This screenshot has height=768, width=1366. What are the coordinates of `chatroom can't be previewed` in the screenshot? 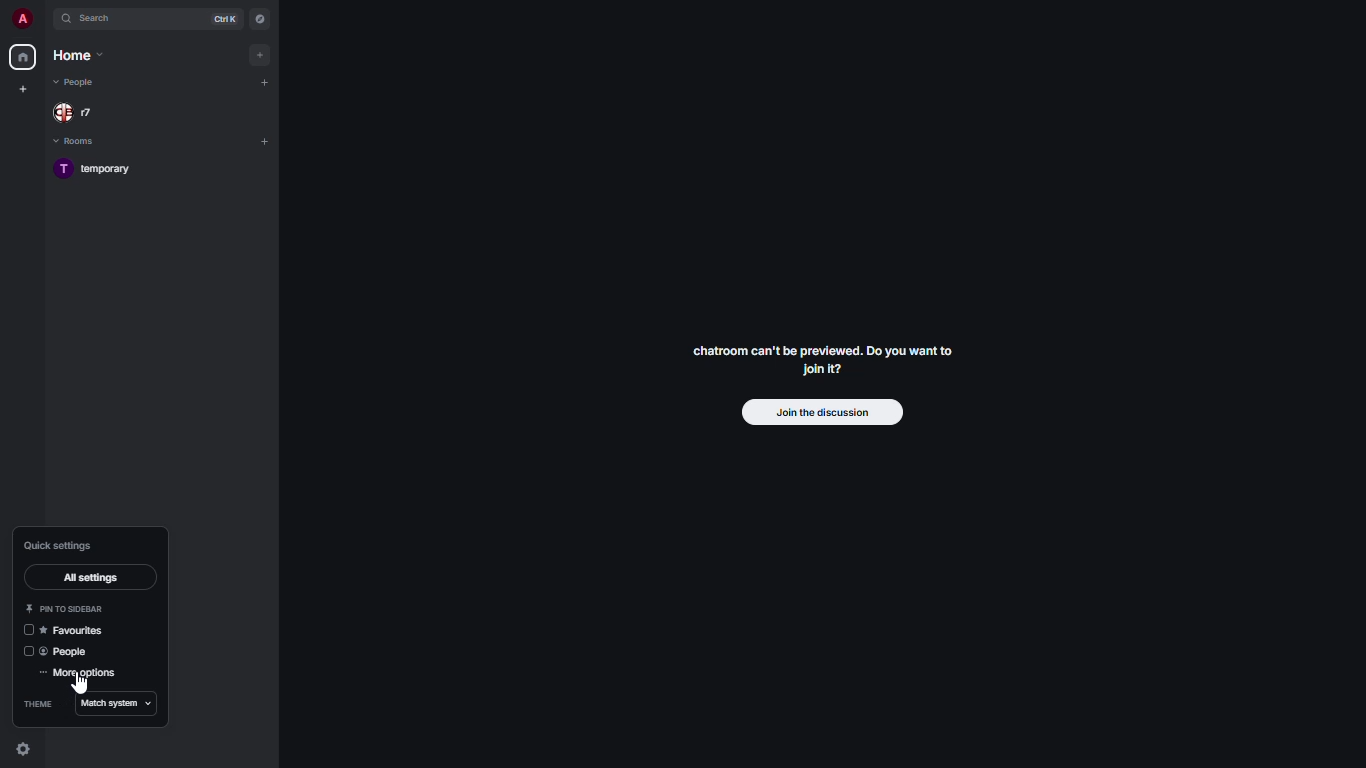 It's located at (818, 362).